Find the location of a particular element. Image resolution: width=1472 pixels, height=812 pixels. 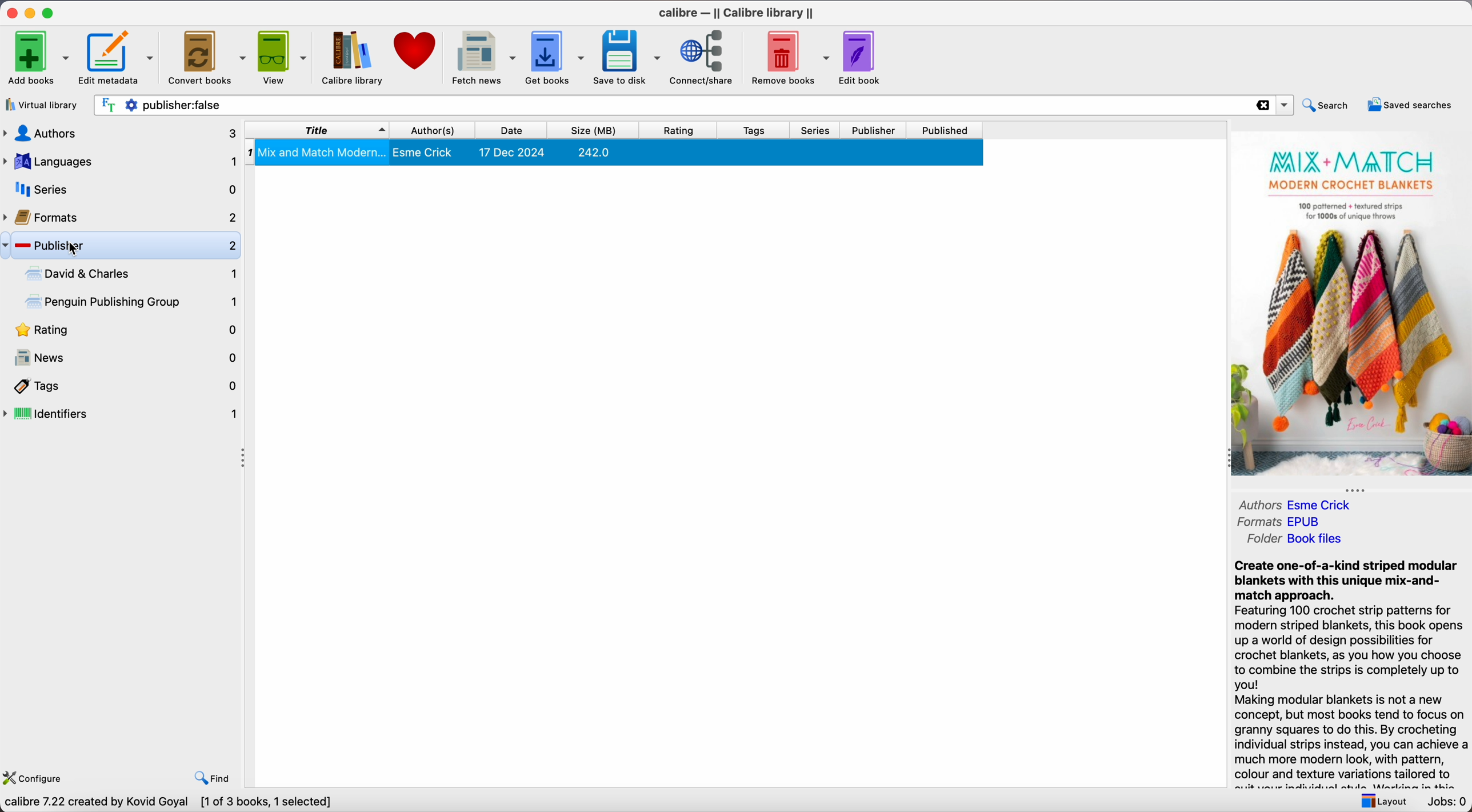

get books is located at coordinates (557, 57).